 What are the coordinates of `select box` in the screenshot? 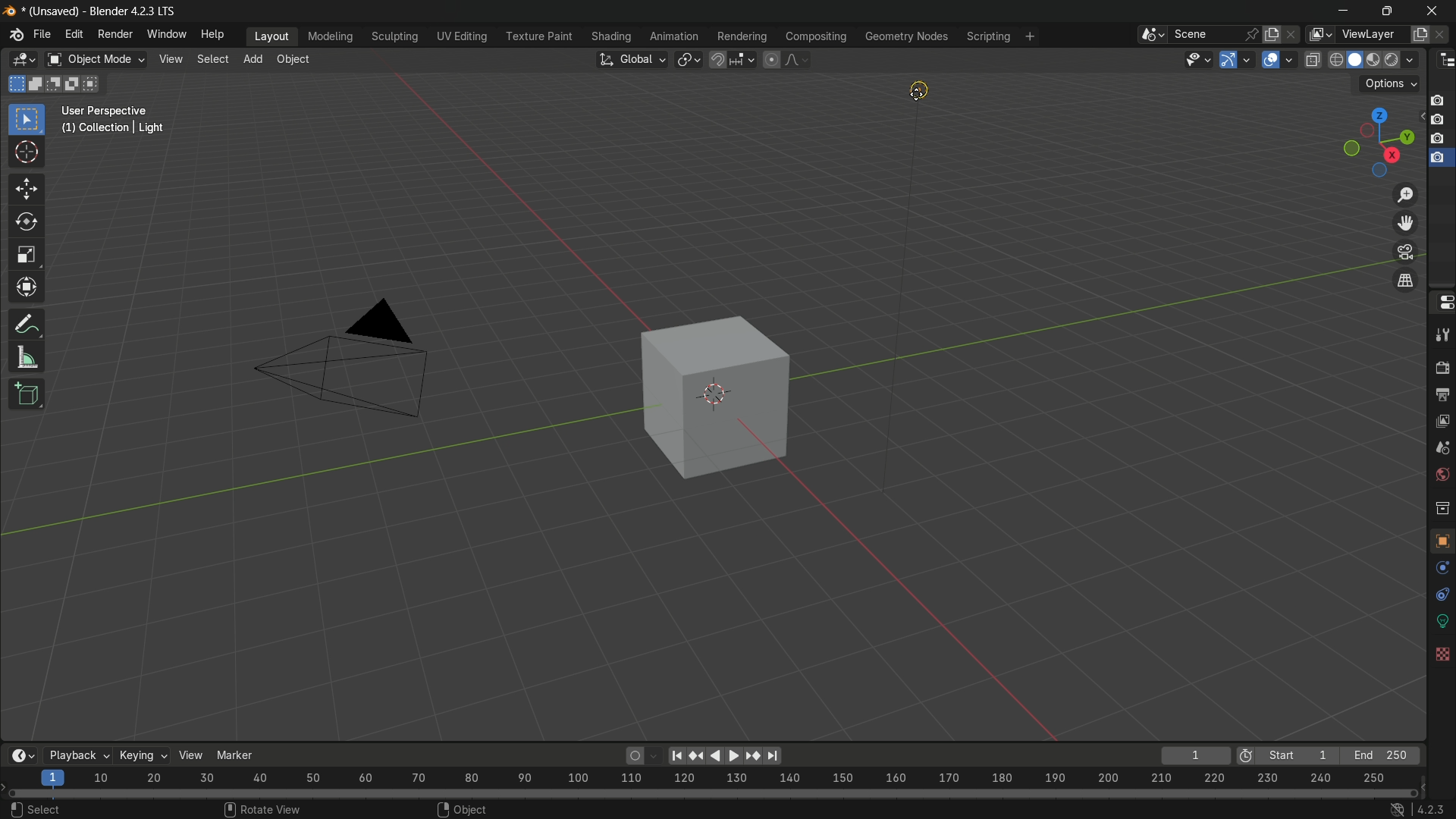 It's located at (27, 118).